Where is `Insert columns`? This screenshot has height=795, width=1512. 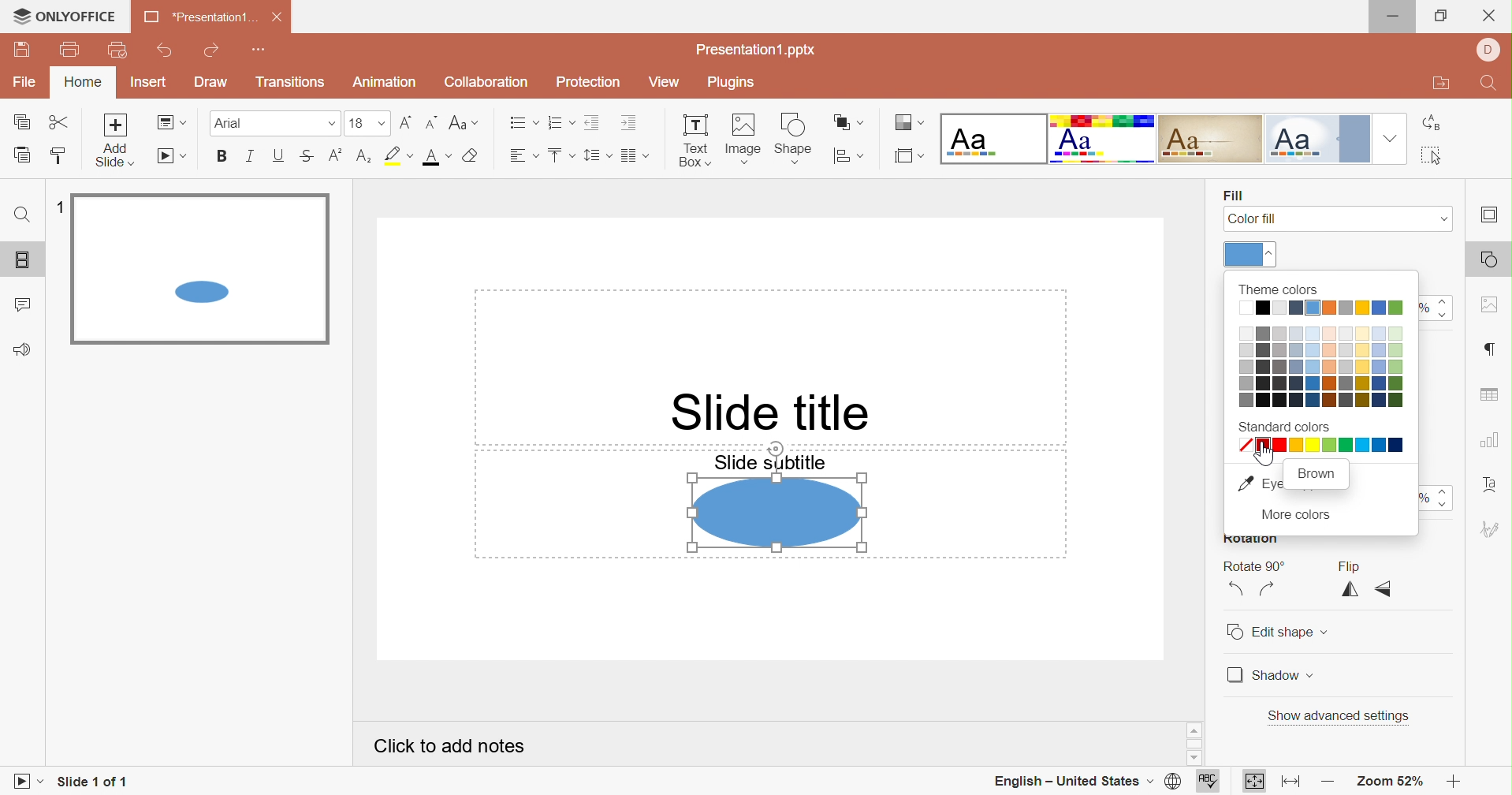 Insert columns is located at coordinates (636, 156).